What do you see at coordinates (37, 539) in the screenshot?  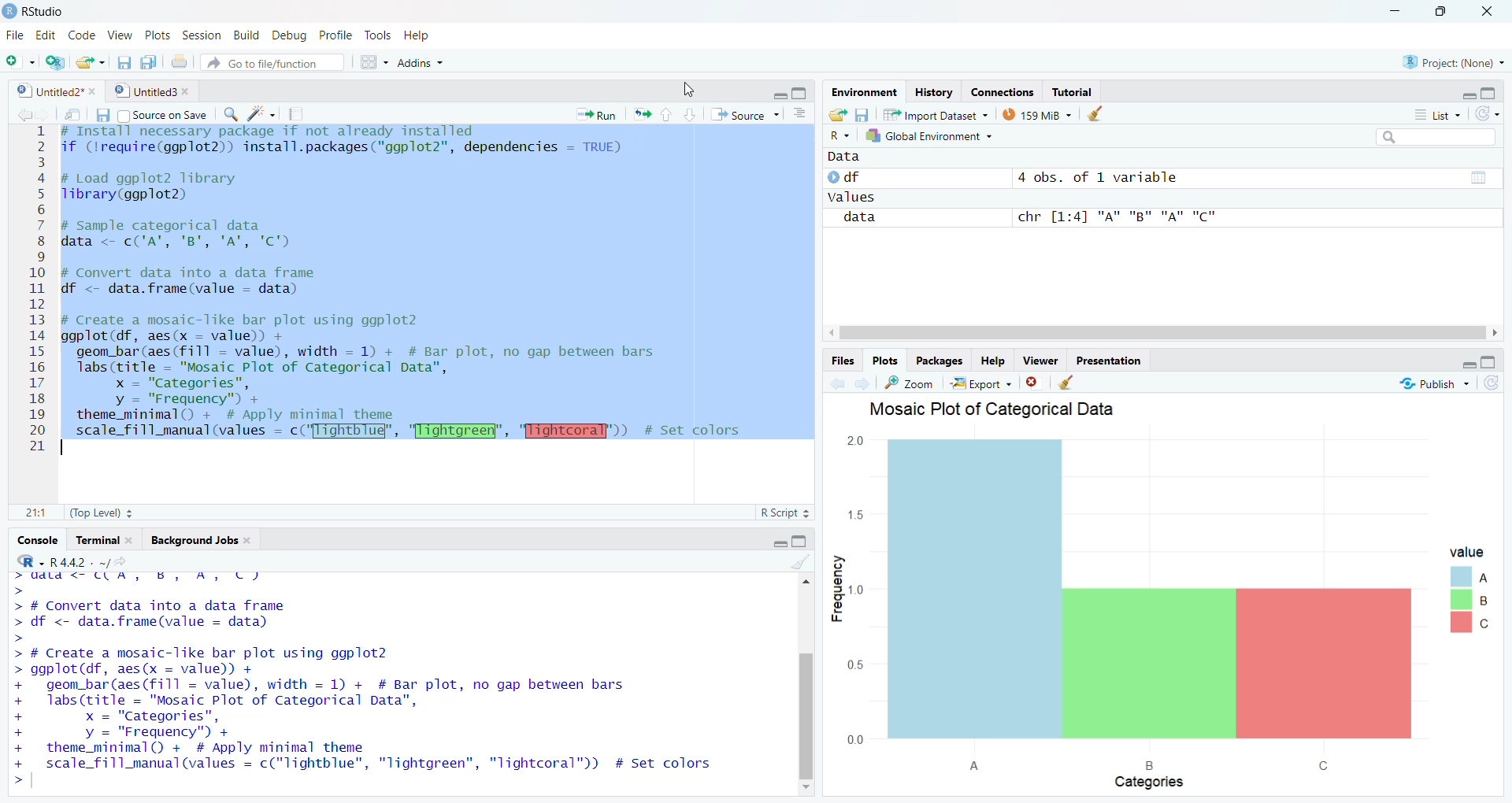 I see `Console` at bounding box center [37, 539].